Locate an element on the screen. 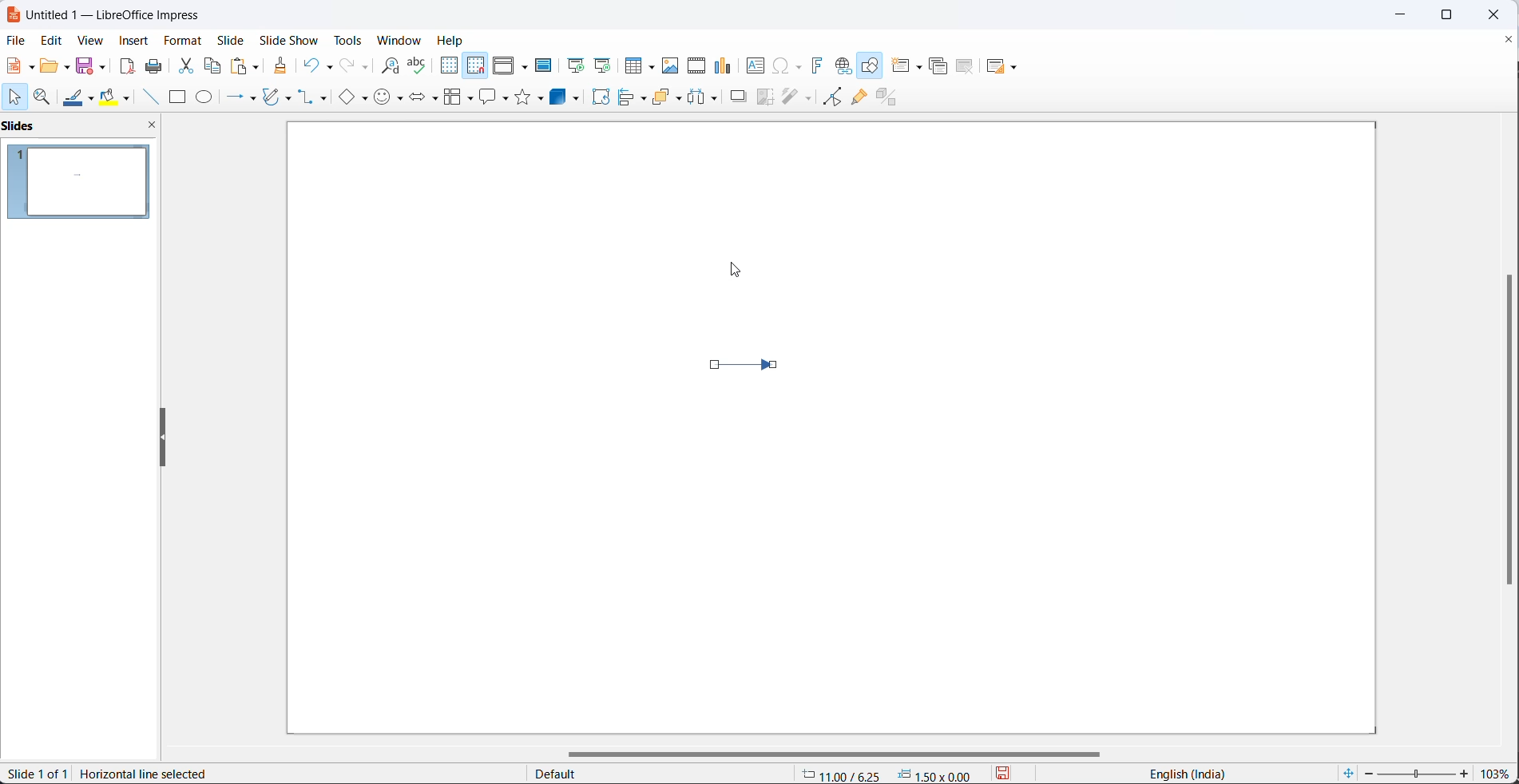  window is located at coordinates (399, 42).